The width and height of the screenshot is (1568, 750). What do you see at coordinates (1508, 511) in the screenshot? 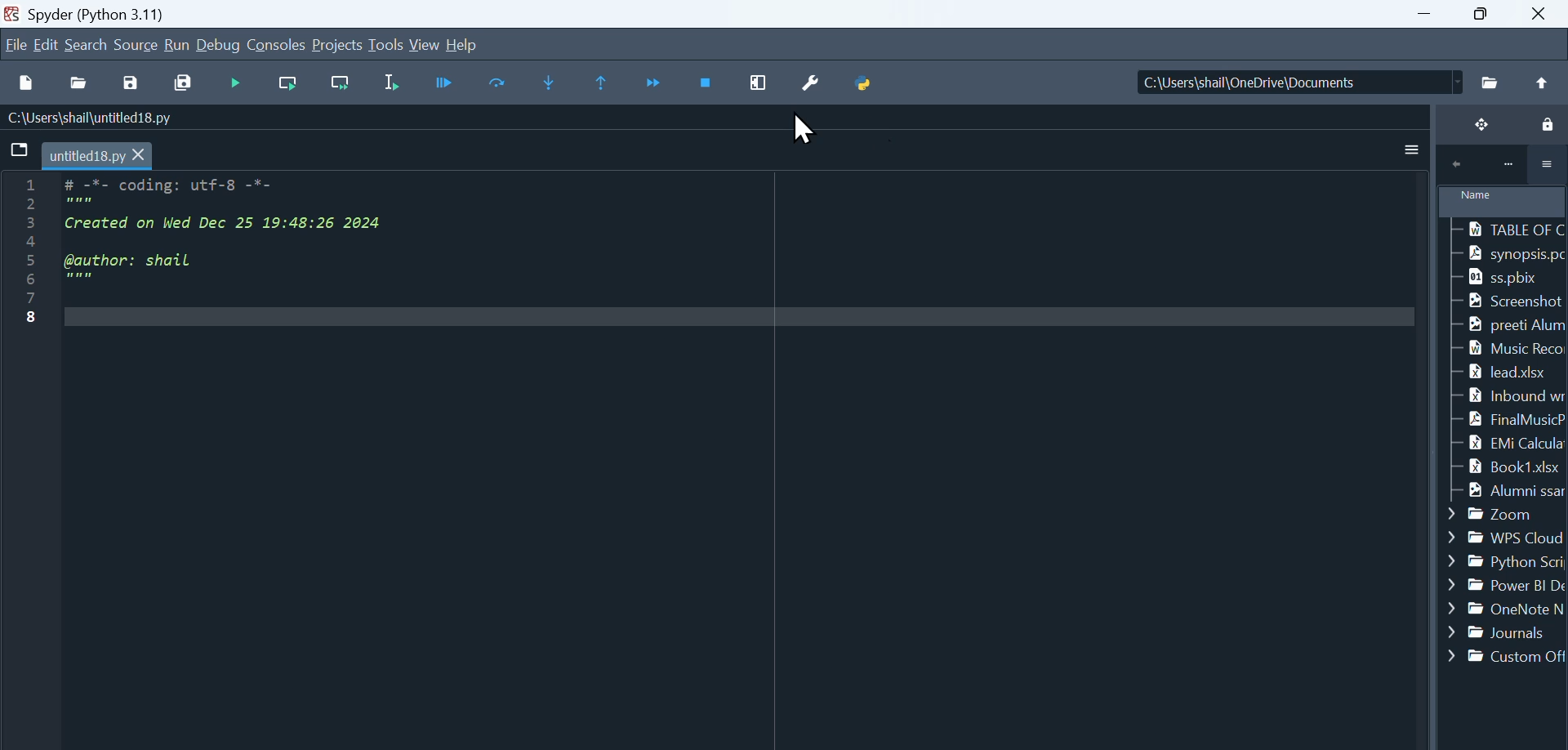
I see `Zoom` at bounding box center [1508, 511].